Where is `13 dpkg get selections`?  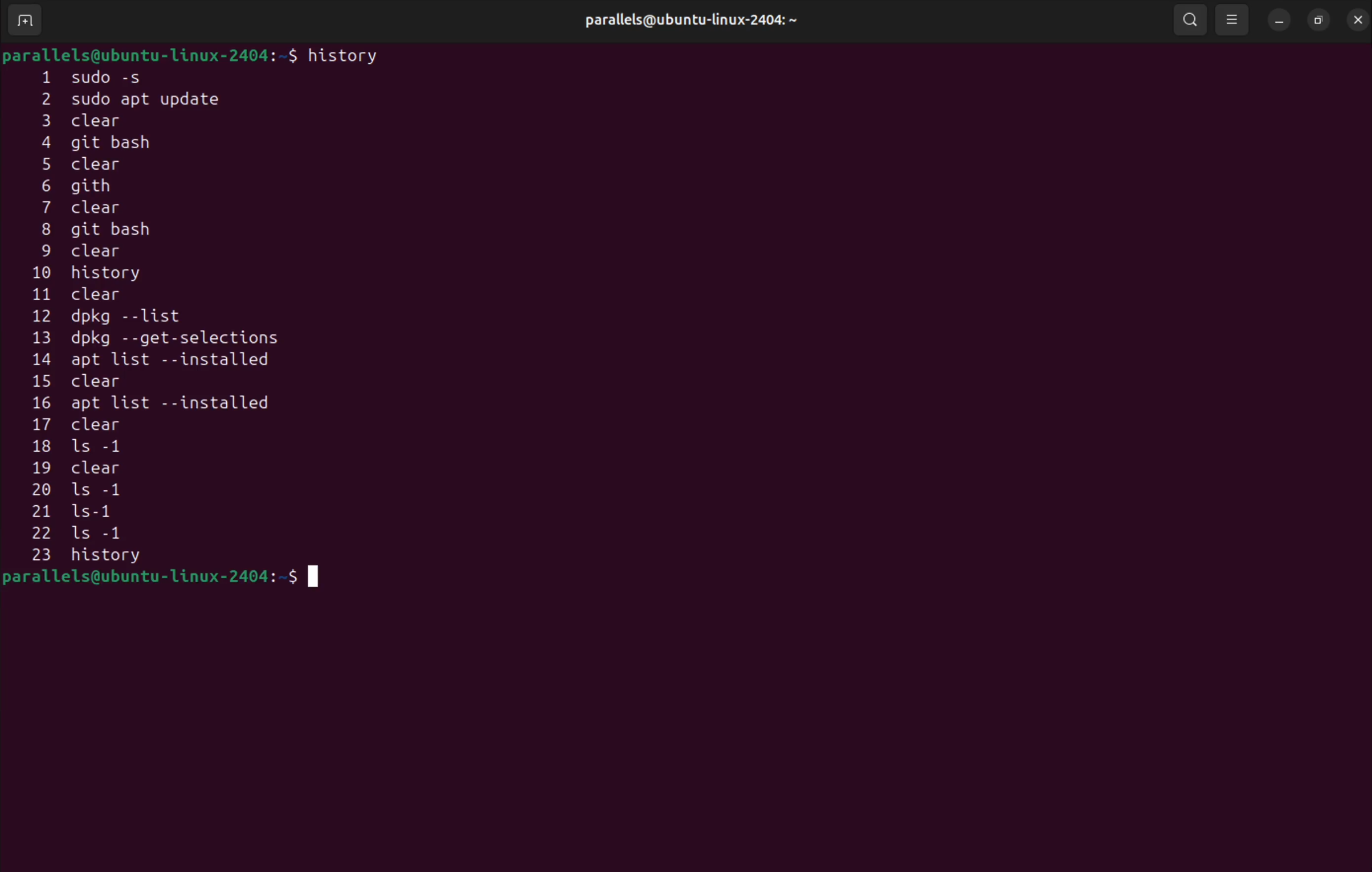 13 dpkg get selections is located at coordinates (179, 340).